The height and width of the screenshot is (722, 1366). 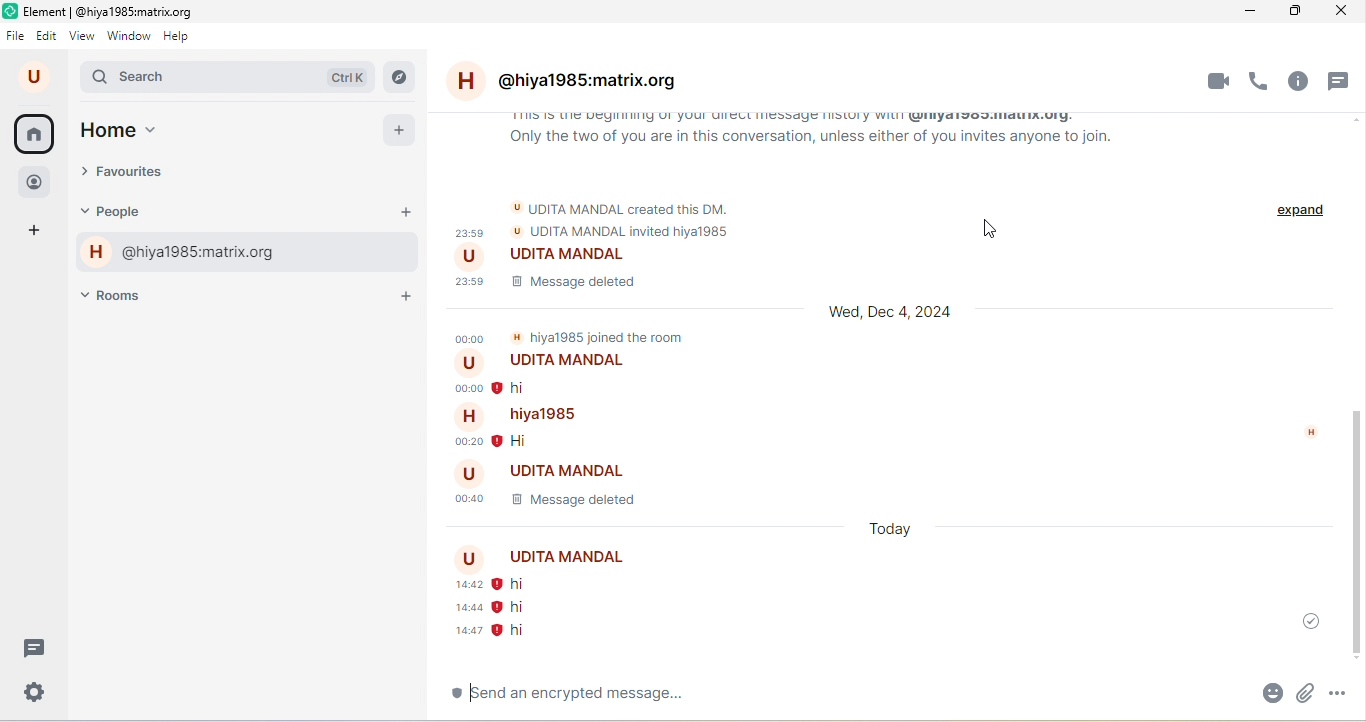 I want to click on udita mandal, so click(x=550, y=468).